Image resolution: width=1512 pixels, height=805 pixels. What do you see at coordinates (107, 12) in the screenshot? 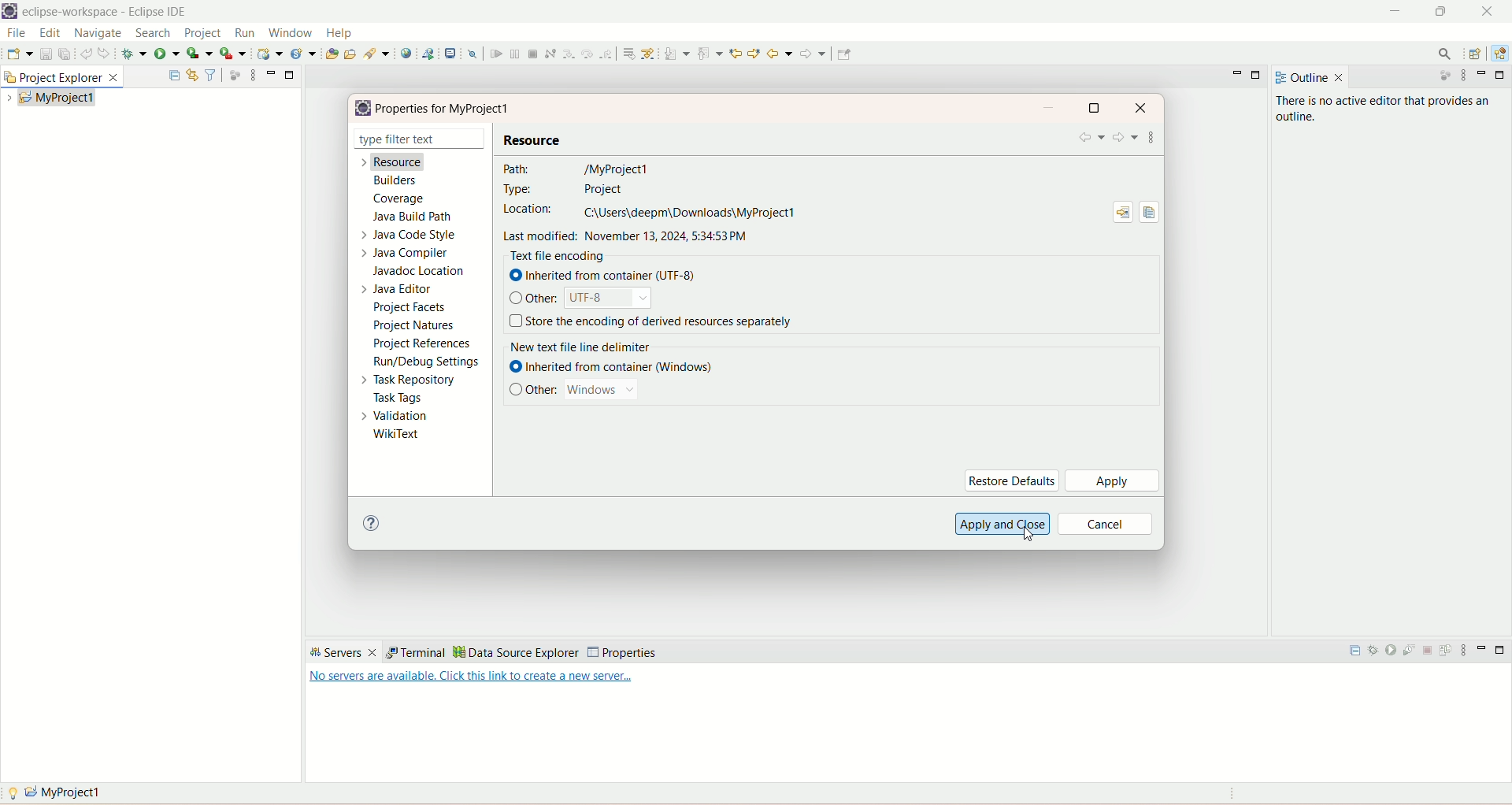
I see `eclipse-workspace-Eclipse IDE` at bounding box center [107, 12].